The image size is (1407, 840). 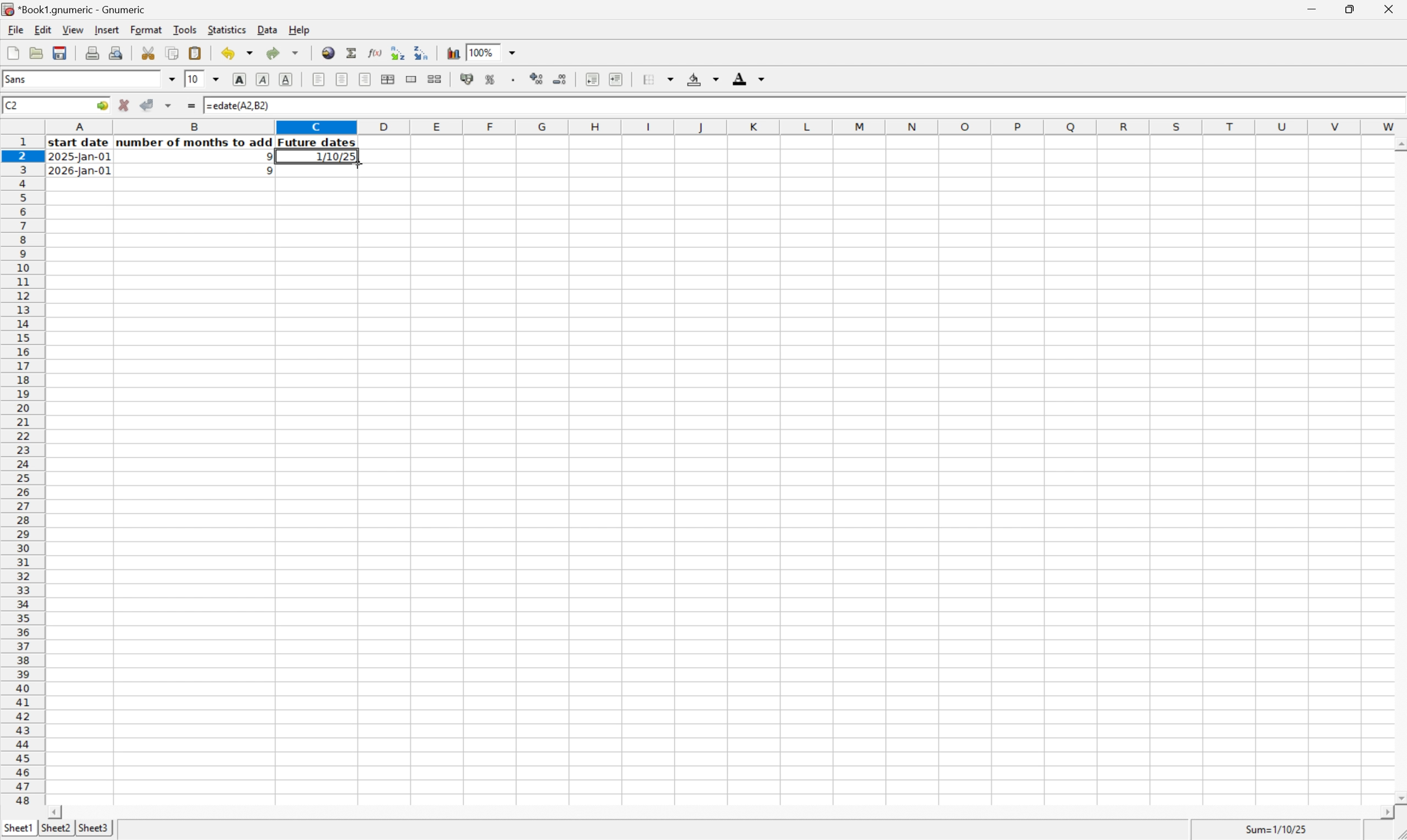 What do you see at coordinates (267, 29) in the screenshot?
I see `Data` at bounding box center [267, 29].